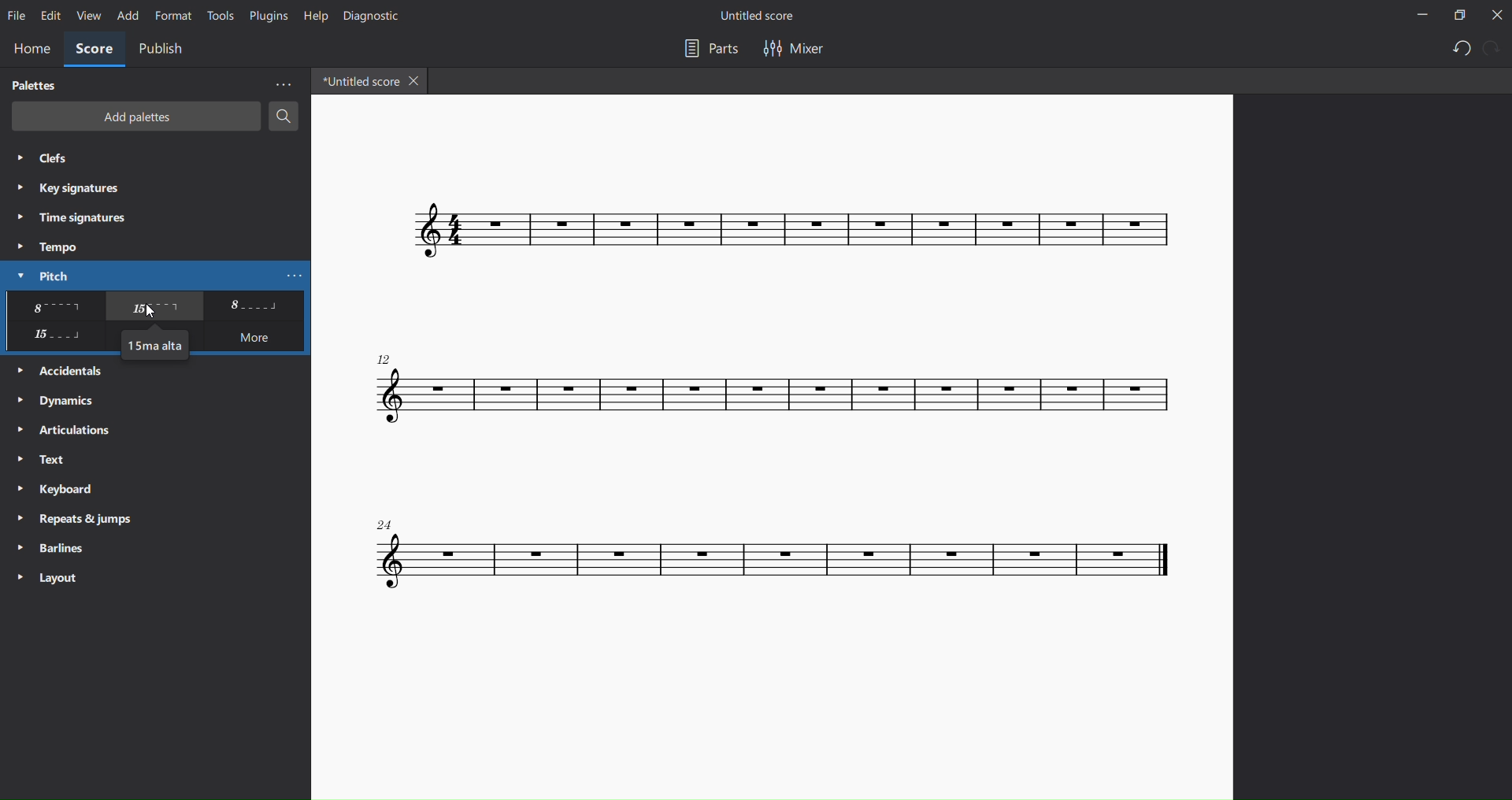 The height and width of the screenshot is (800, 1512). Describe the element at coordinates (48, 461) in the screenshot. I see `text` at that location.